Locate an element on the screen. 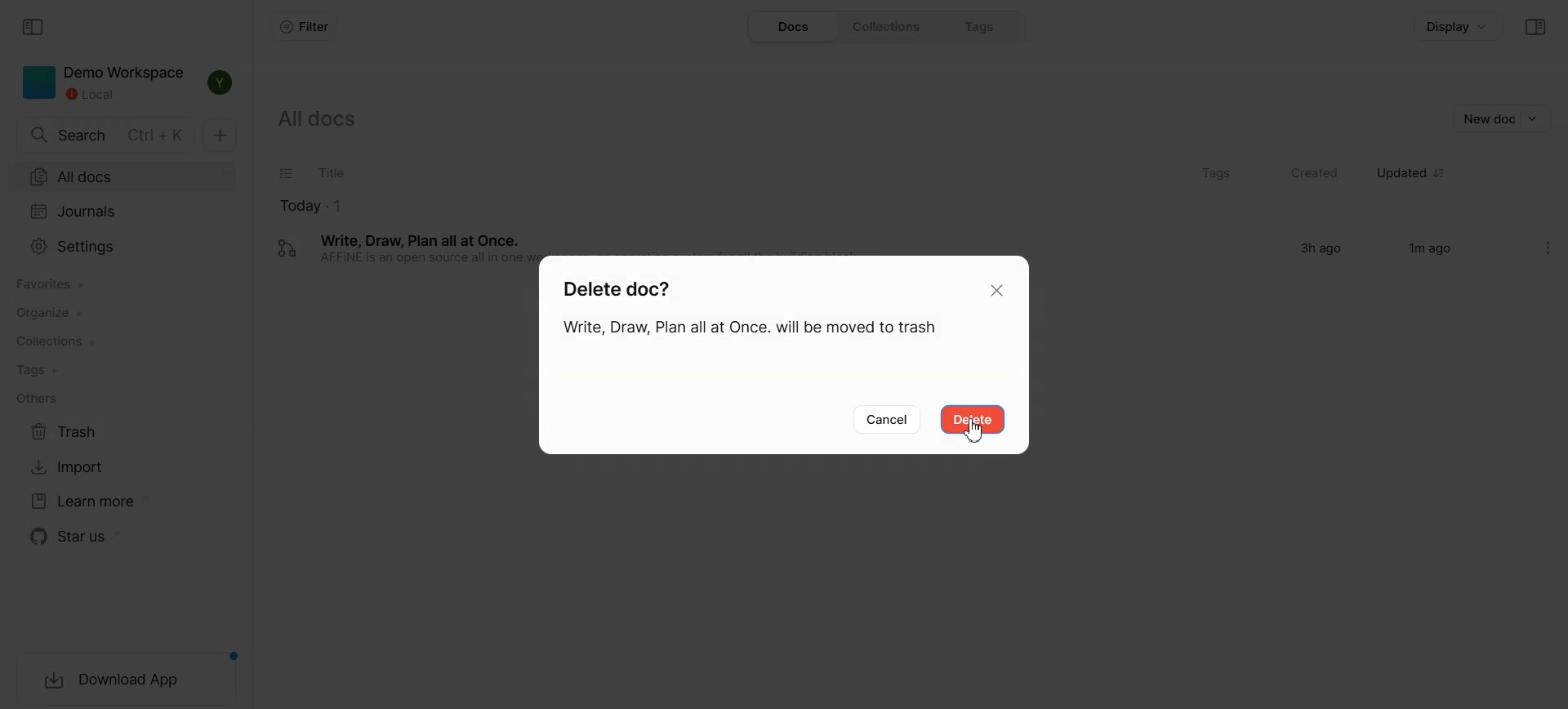  Docs is located at coordinates (792, 26).